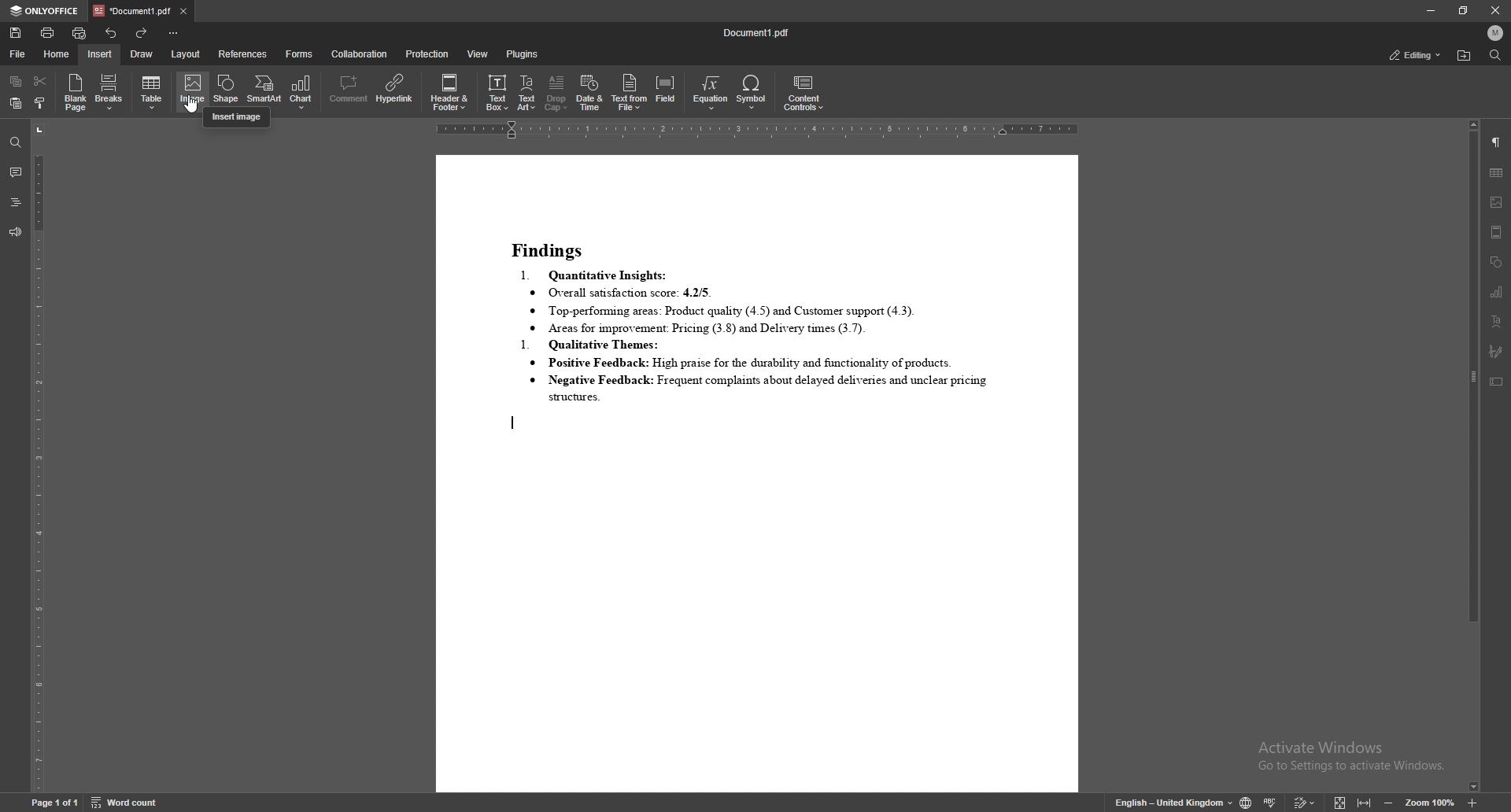  Describe the element at coordinates (183, 12) in the screenshot. I see `close tab` at that location.